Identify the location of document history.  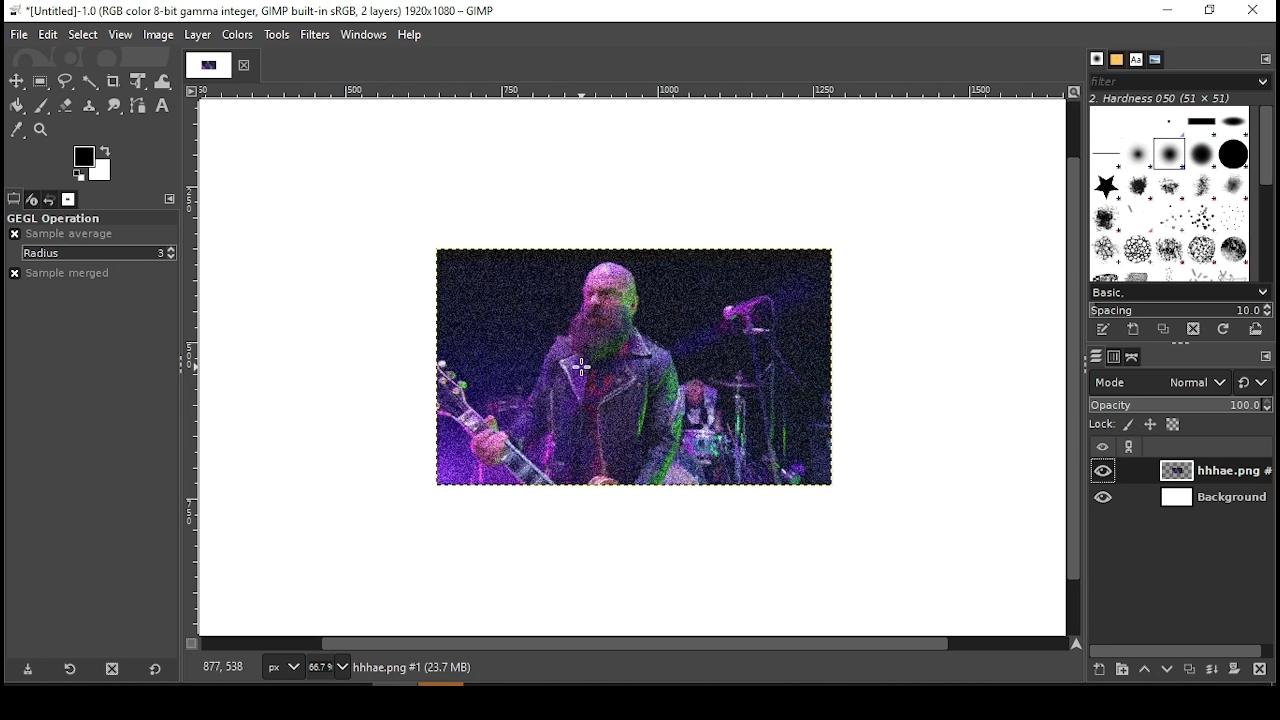
(1152, 60).